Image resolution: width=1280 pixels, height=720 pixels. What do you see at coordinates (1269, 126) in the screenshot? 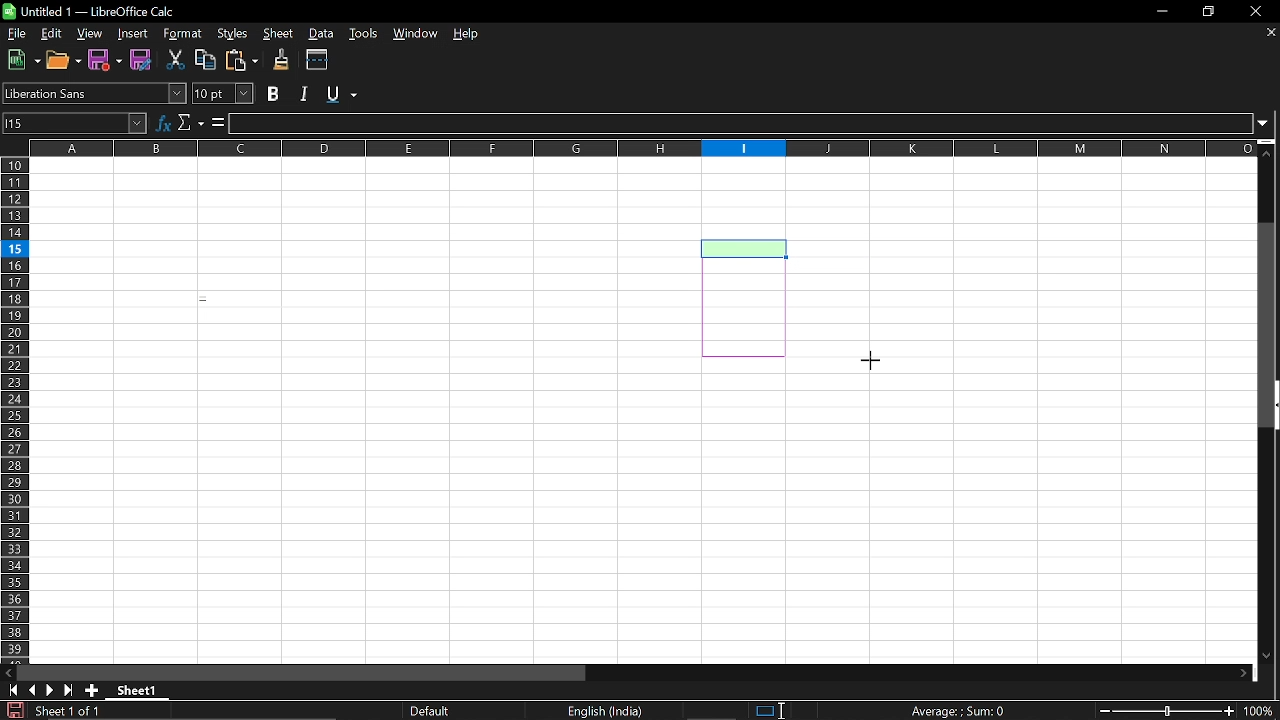
I see `Expand formula bar` at bounding box center [1269, 126].